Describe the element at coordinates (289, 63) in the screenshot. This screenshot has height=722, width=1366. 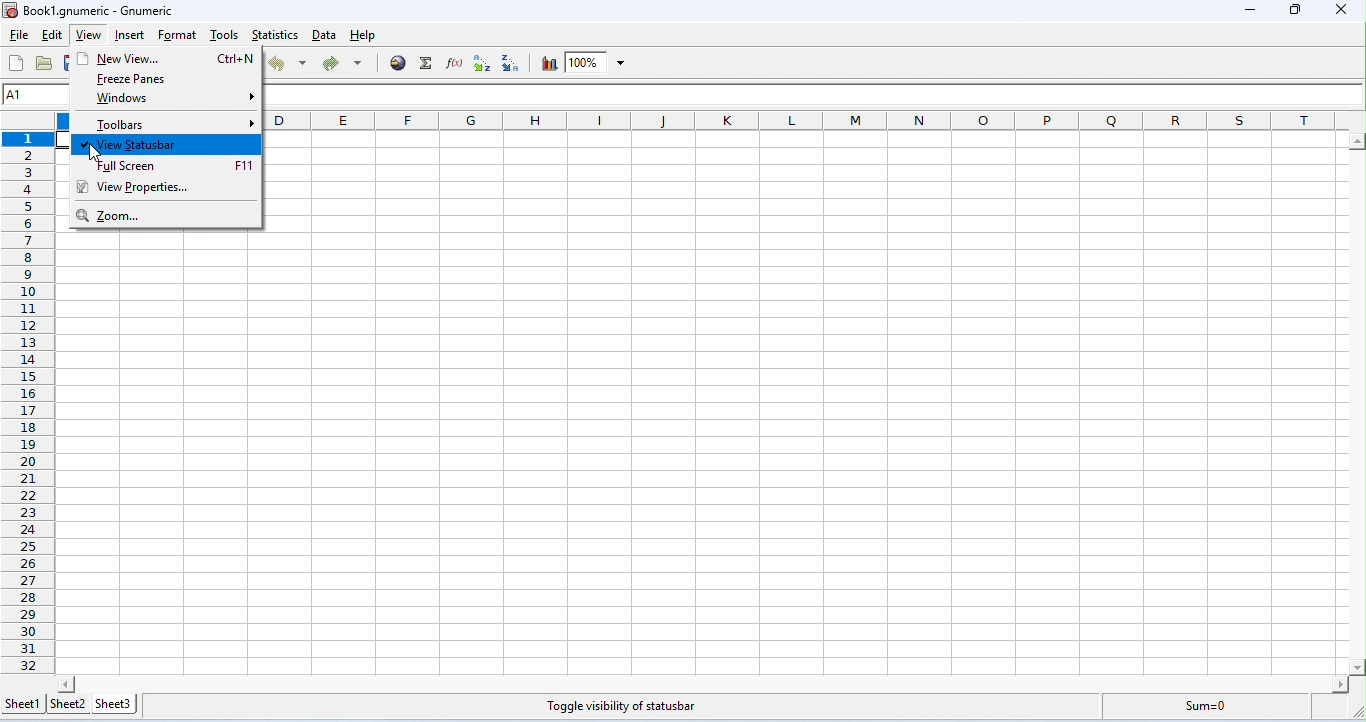
I see `undo` at that location.